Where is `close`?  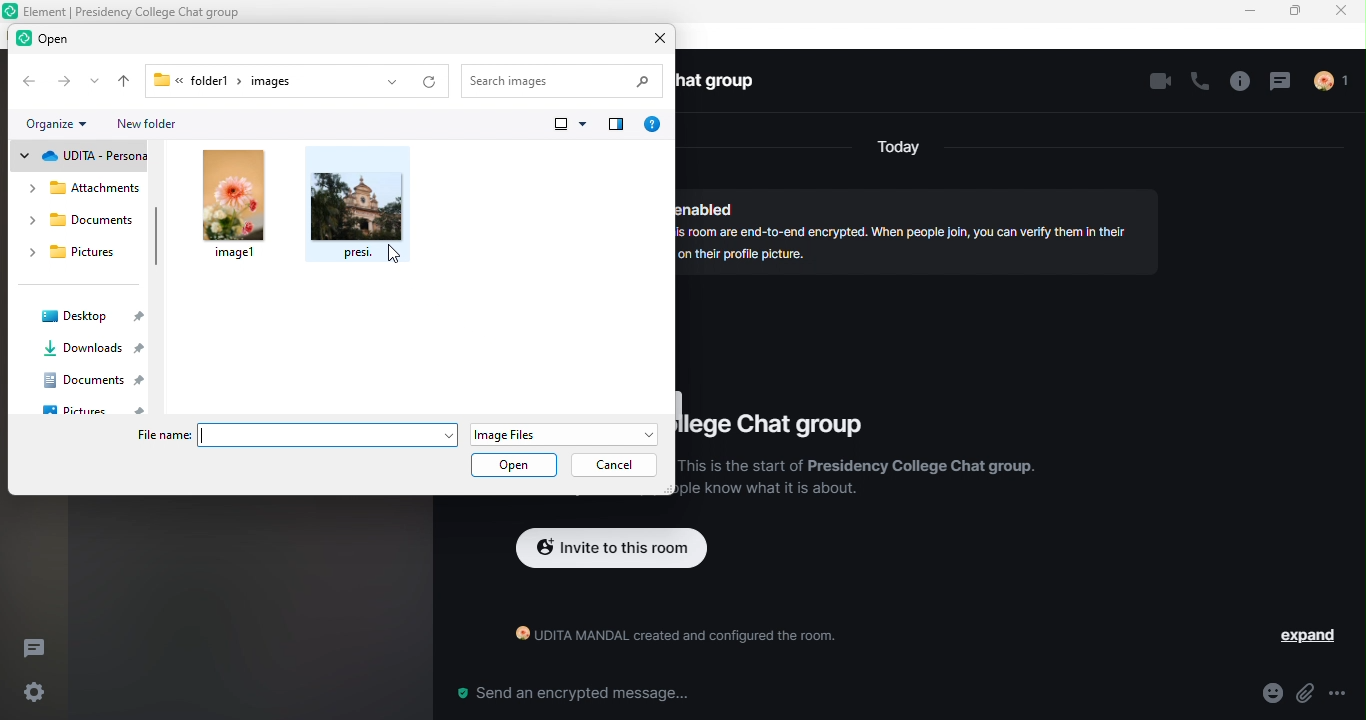
close is located at coordinates (654, 40).